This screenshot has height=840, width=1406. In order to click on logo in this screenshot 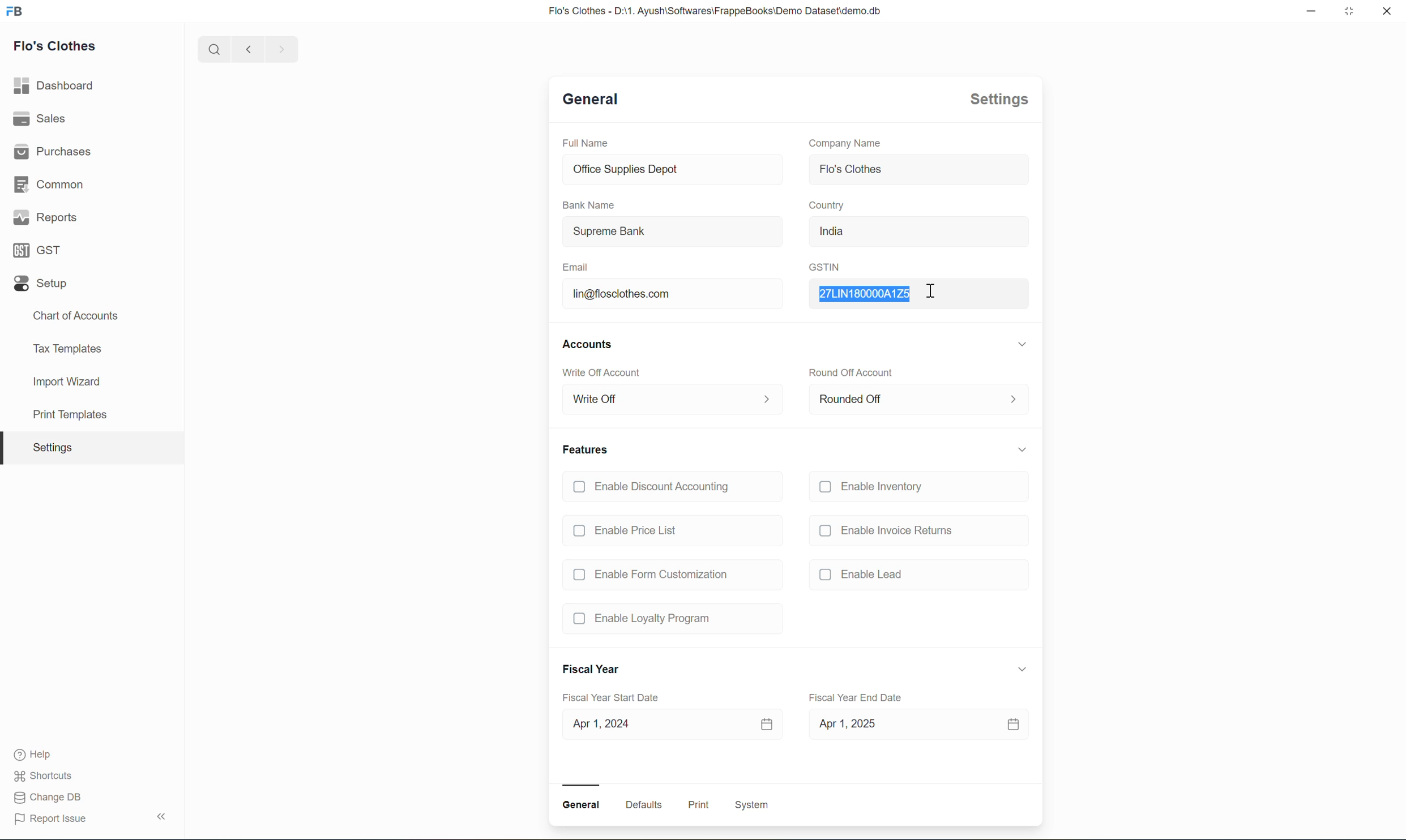, I will do `click(15, 10)`.